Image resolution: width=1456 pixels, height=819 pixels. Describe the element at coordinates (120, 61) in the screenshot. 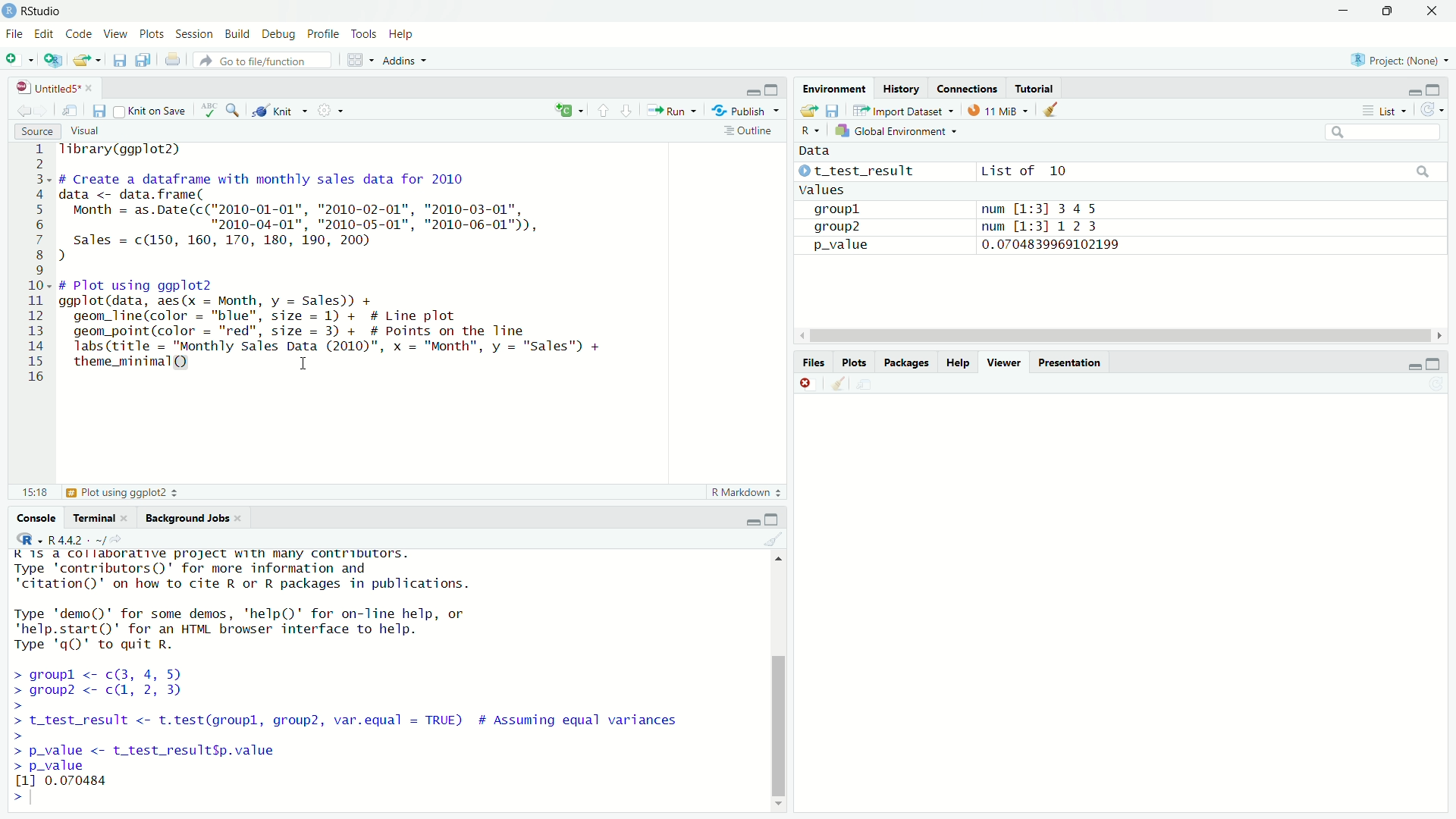

I see `save current file` at that location.